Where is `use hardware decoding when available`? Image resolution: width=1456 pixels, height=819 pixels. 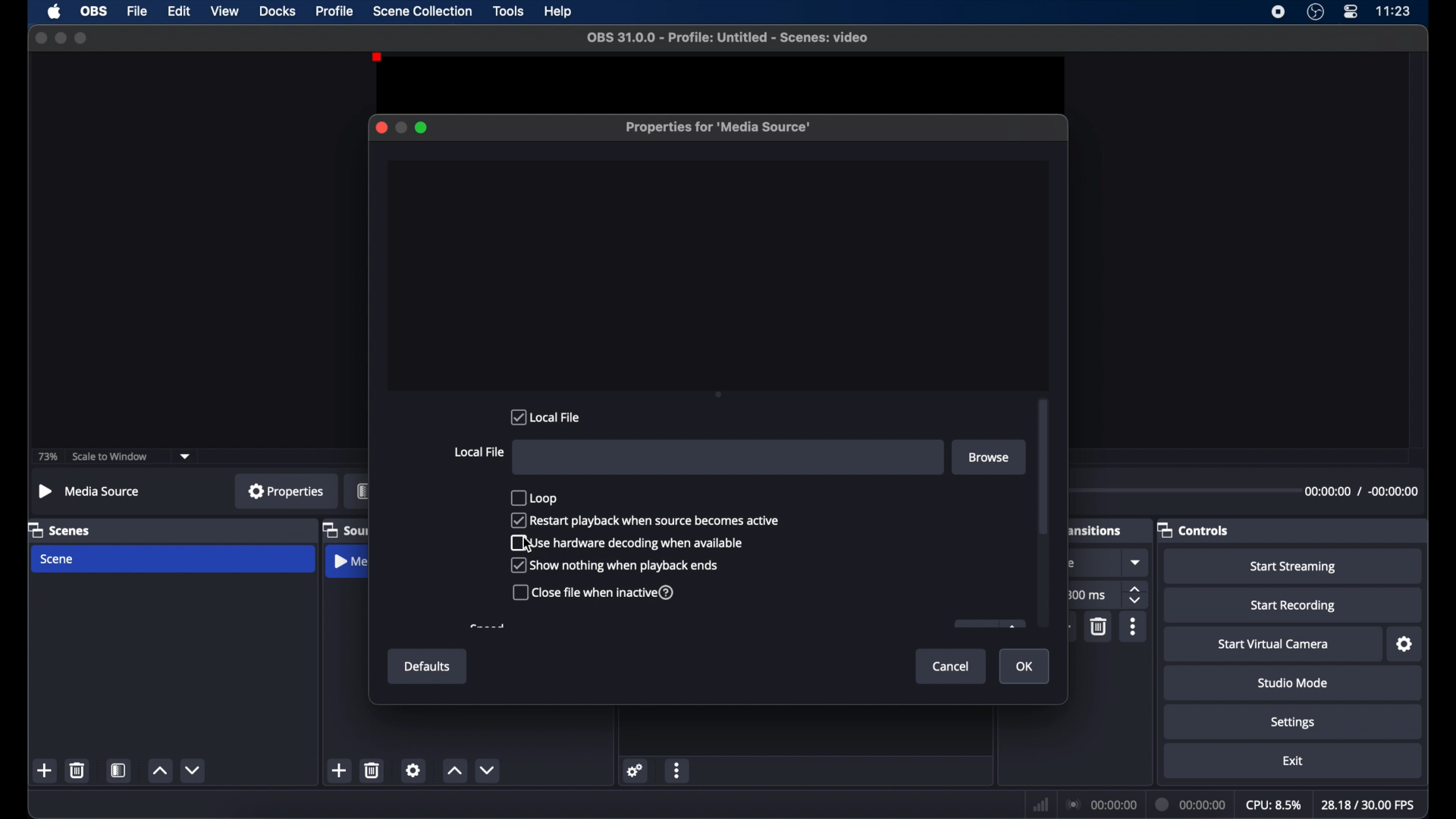 use hardware decoding when available is located at coordinates (628, 542).